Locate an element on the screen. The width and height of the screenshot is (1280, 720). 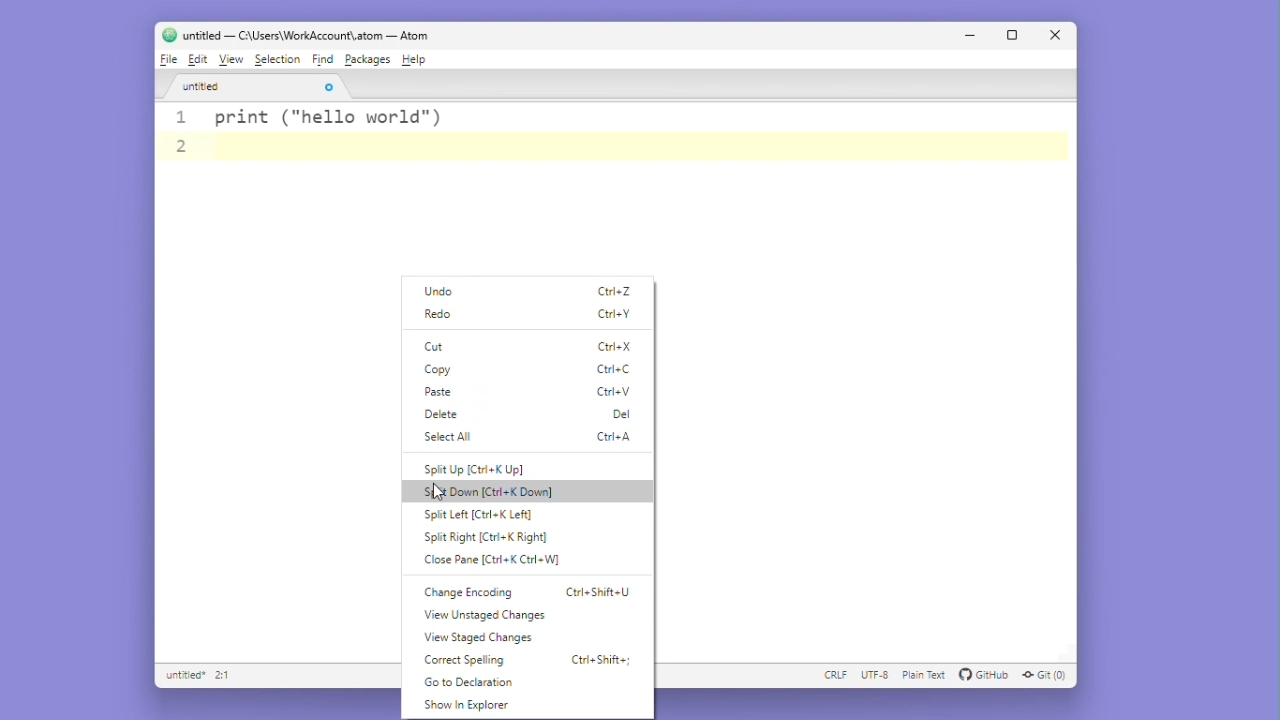
1 print ("hello world" ) 2 is located at coordinates (620, 135).